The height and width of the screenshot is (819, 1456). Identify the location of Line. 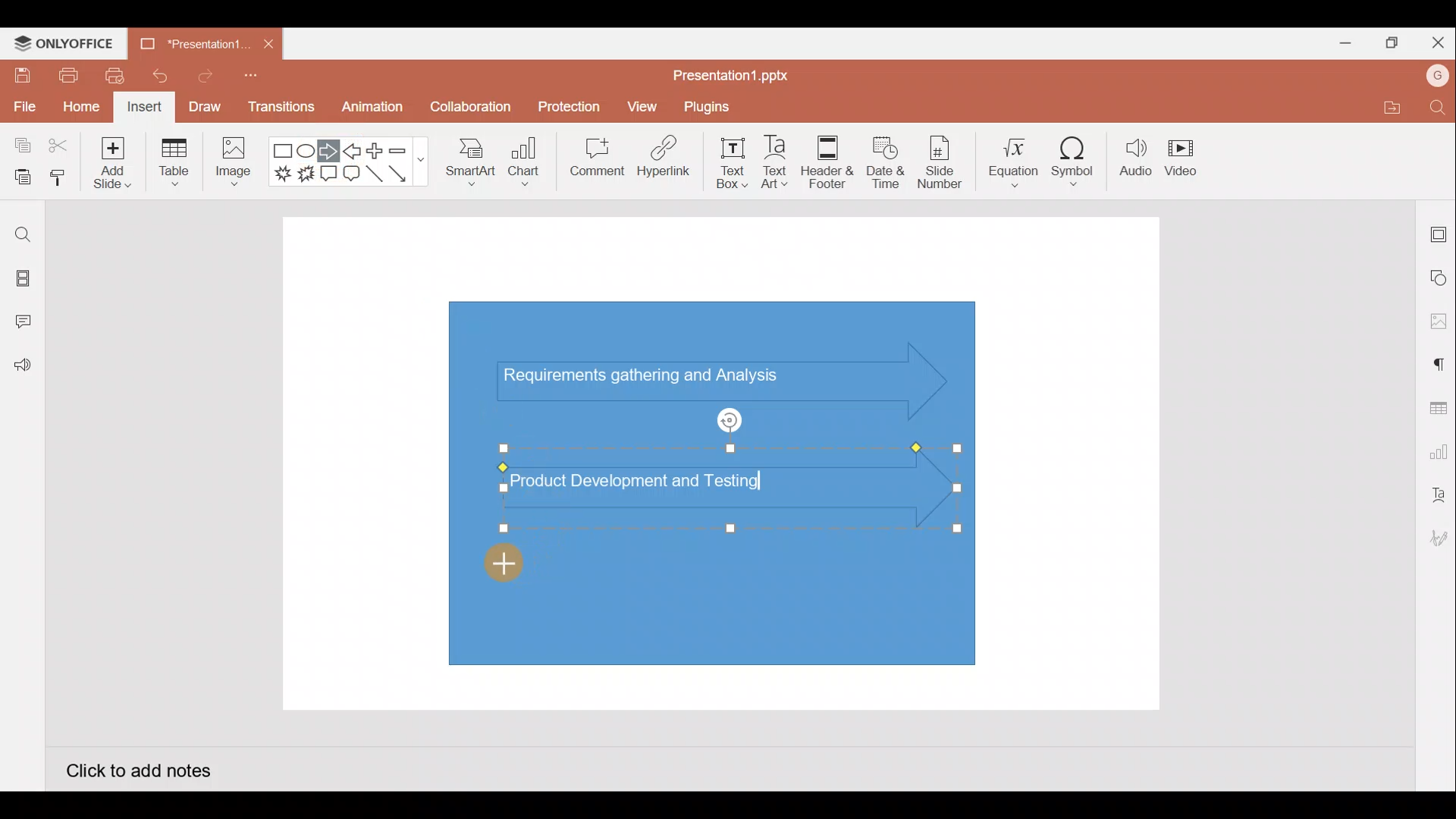
(376, 178).